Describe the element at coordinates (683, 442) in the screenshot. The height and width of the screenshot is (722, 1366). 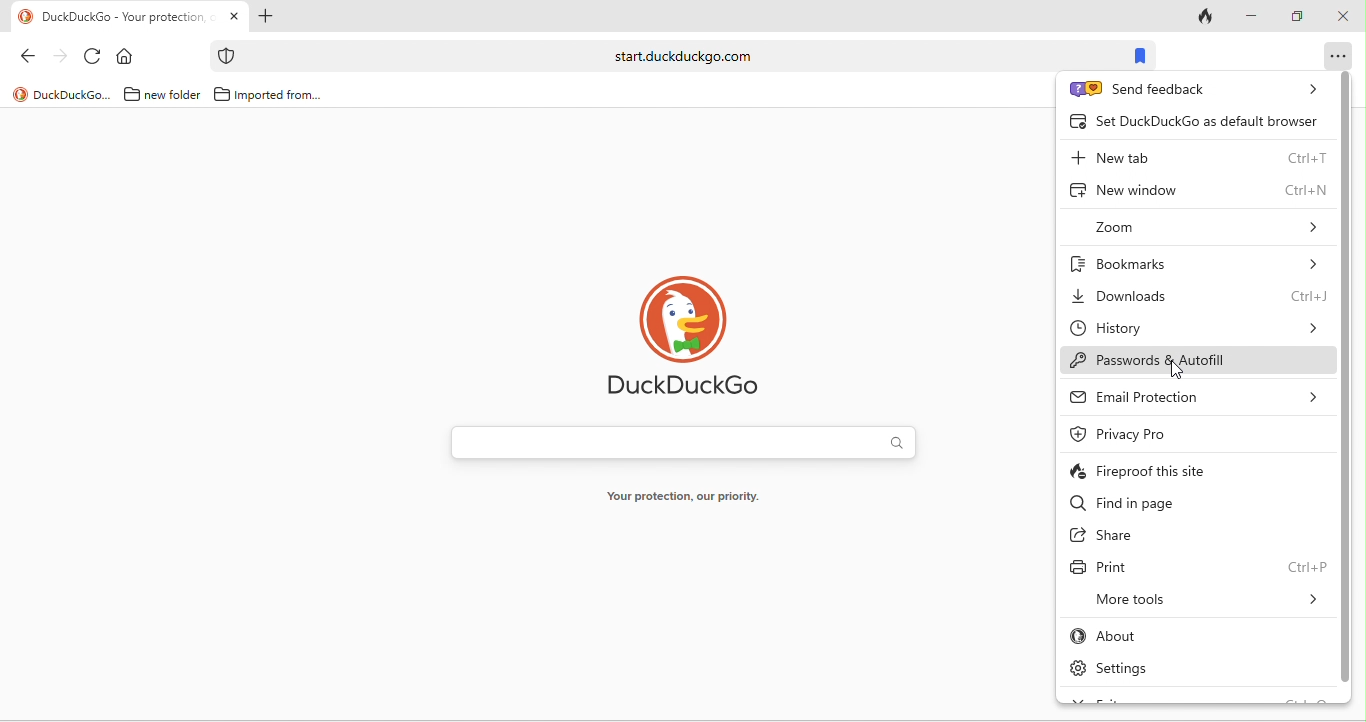
I see `search bar` at that location.